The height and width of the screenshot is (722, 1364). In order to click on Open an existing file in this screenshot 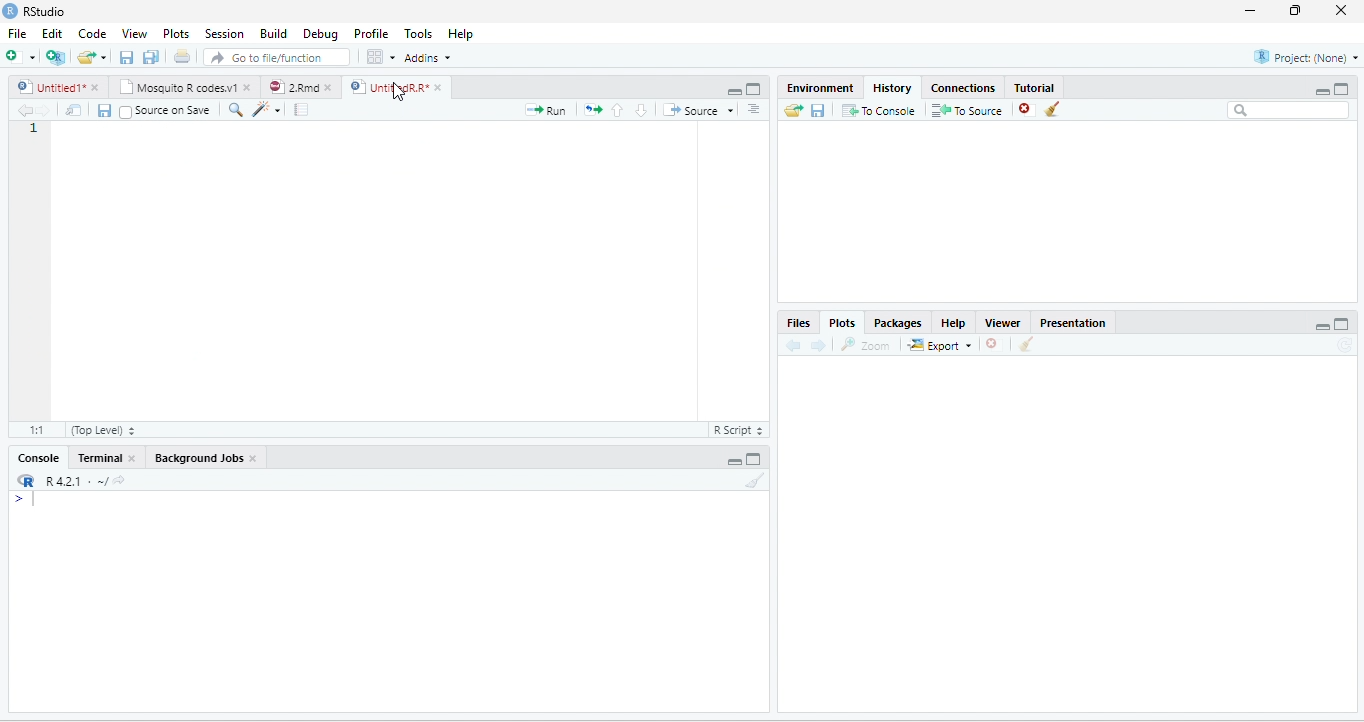, I will do `click(86, 57)`.